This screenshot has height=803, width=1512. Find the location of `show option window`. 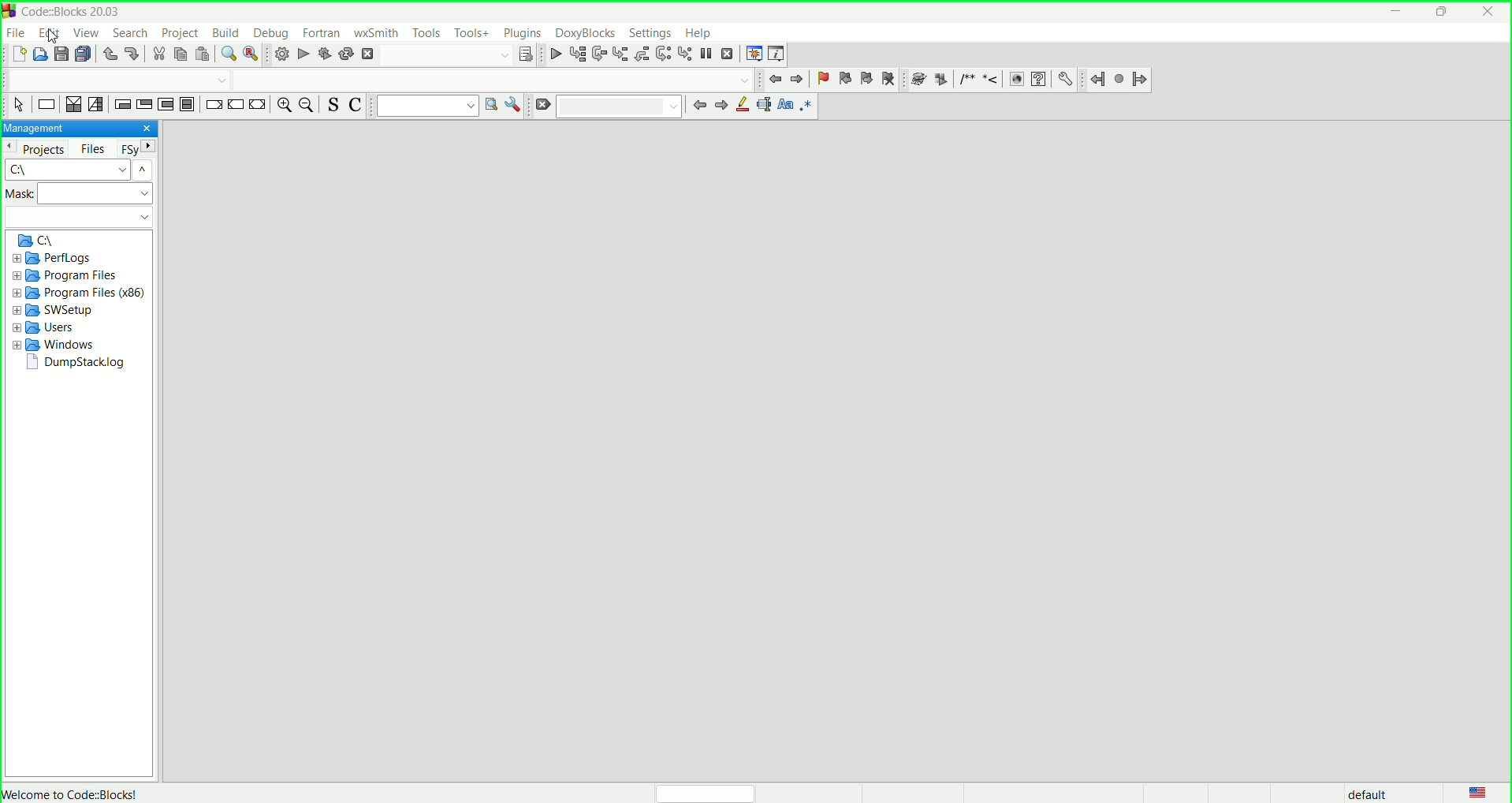

show option window is located at coordinates (516, 104).